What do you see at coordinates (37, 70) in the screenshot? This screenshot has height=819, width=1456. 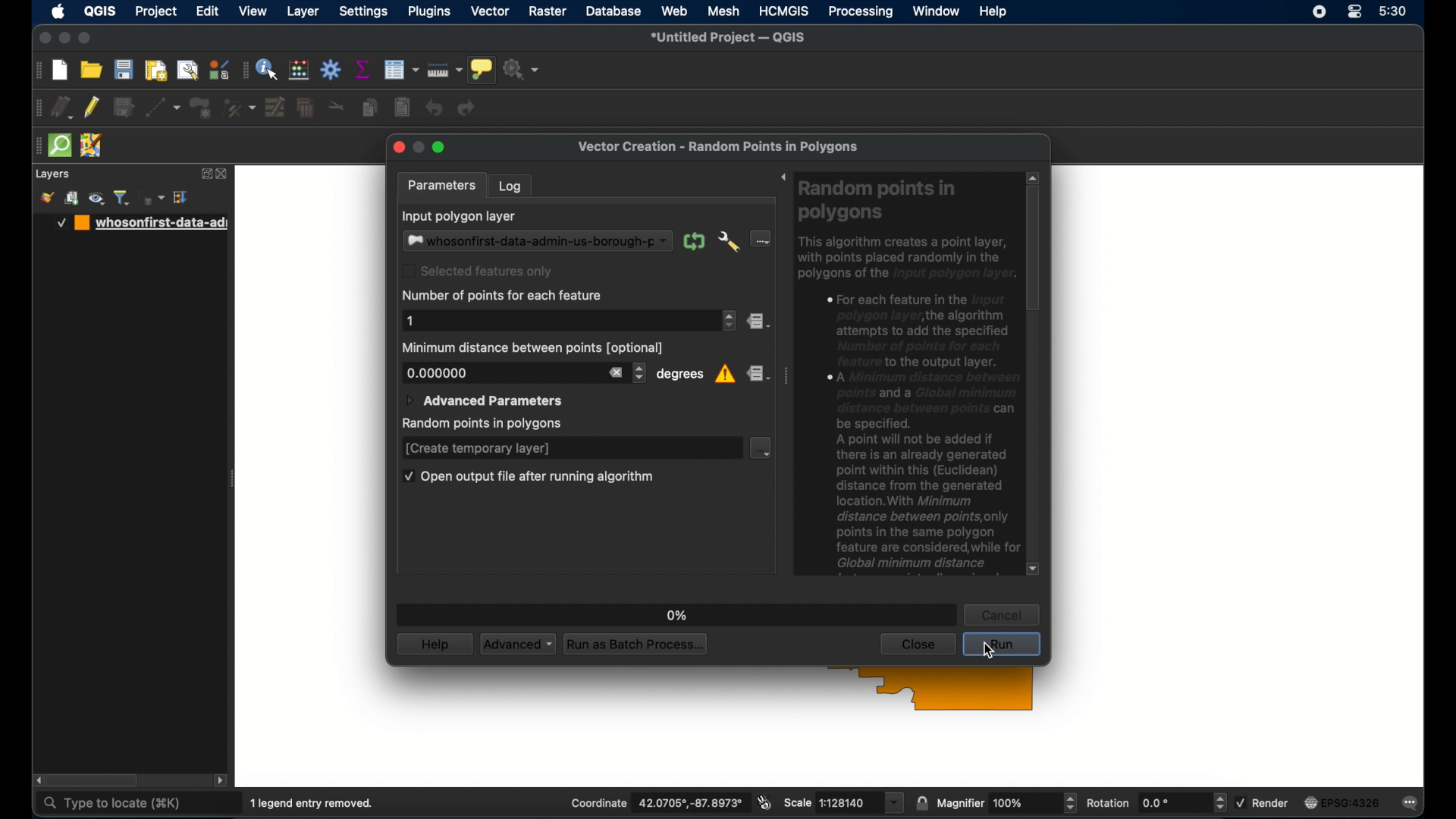 I see `drag handle` at bounding box center [37, 70].